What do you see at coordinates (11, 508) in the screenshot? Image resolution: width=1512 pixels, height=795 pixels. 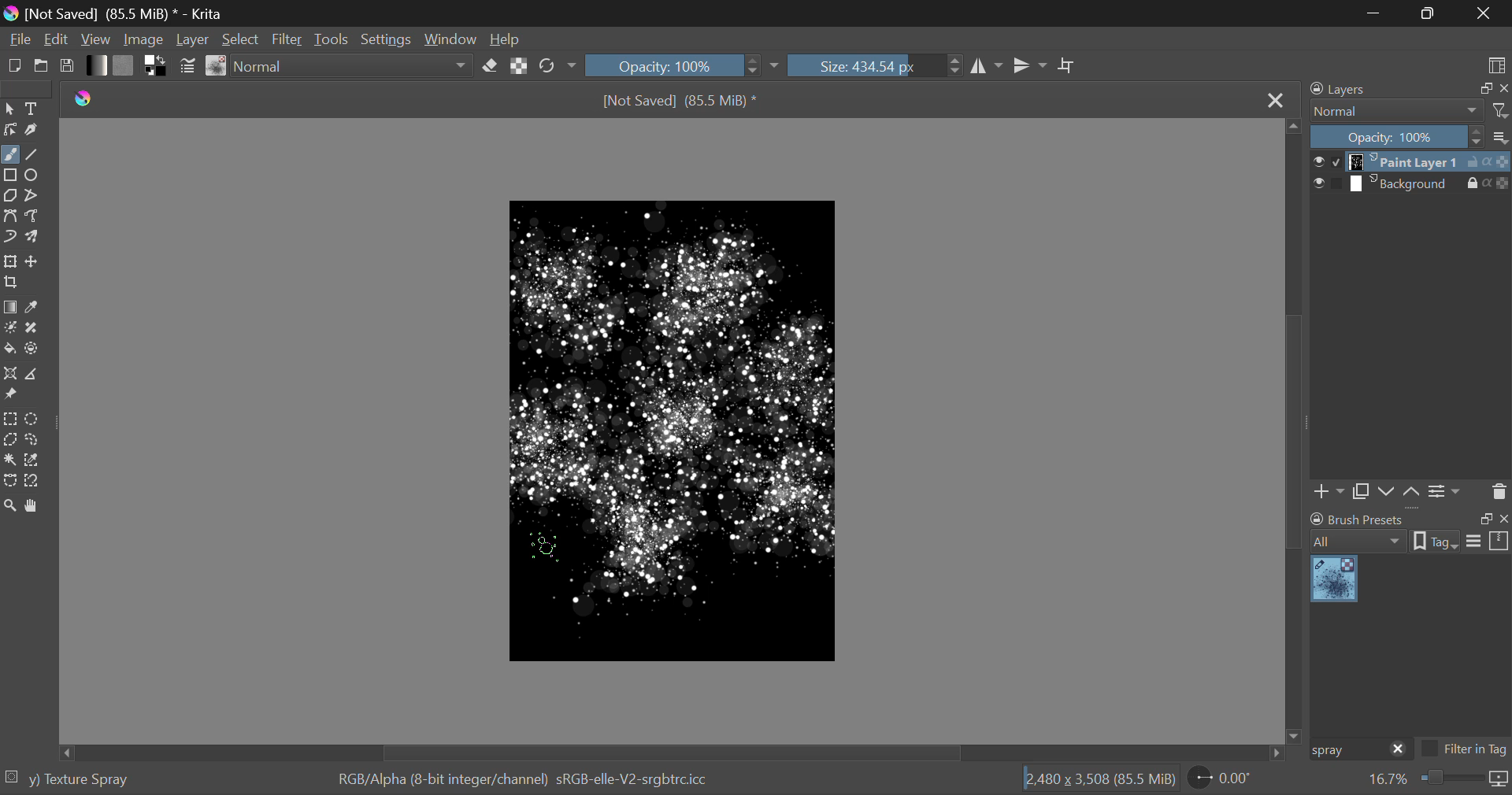 I see `Zoom` at bounding box center [11, 508].